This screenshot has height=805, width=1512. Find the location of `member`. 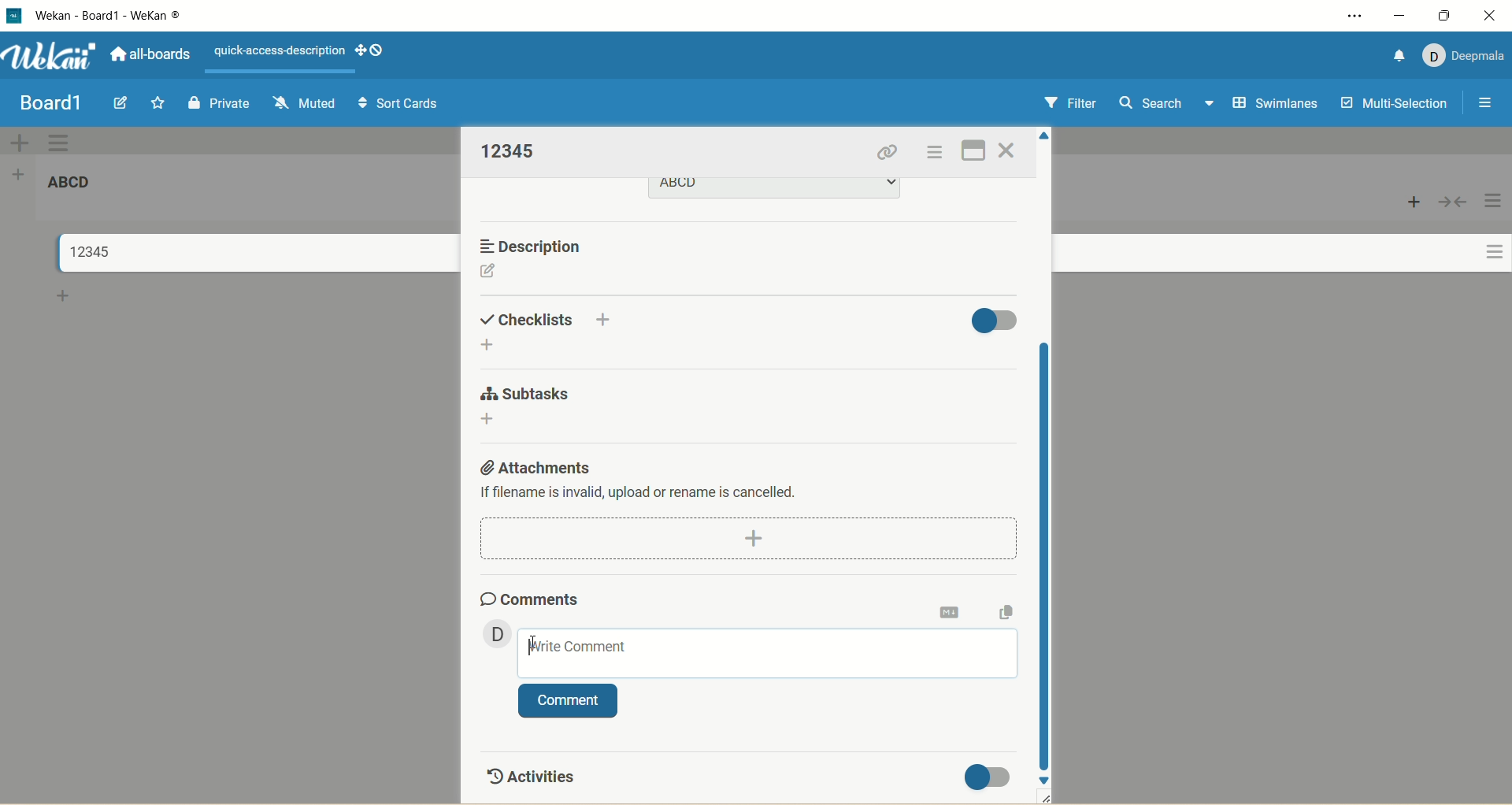

member is located at coordinates (492, 632).